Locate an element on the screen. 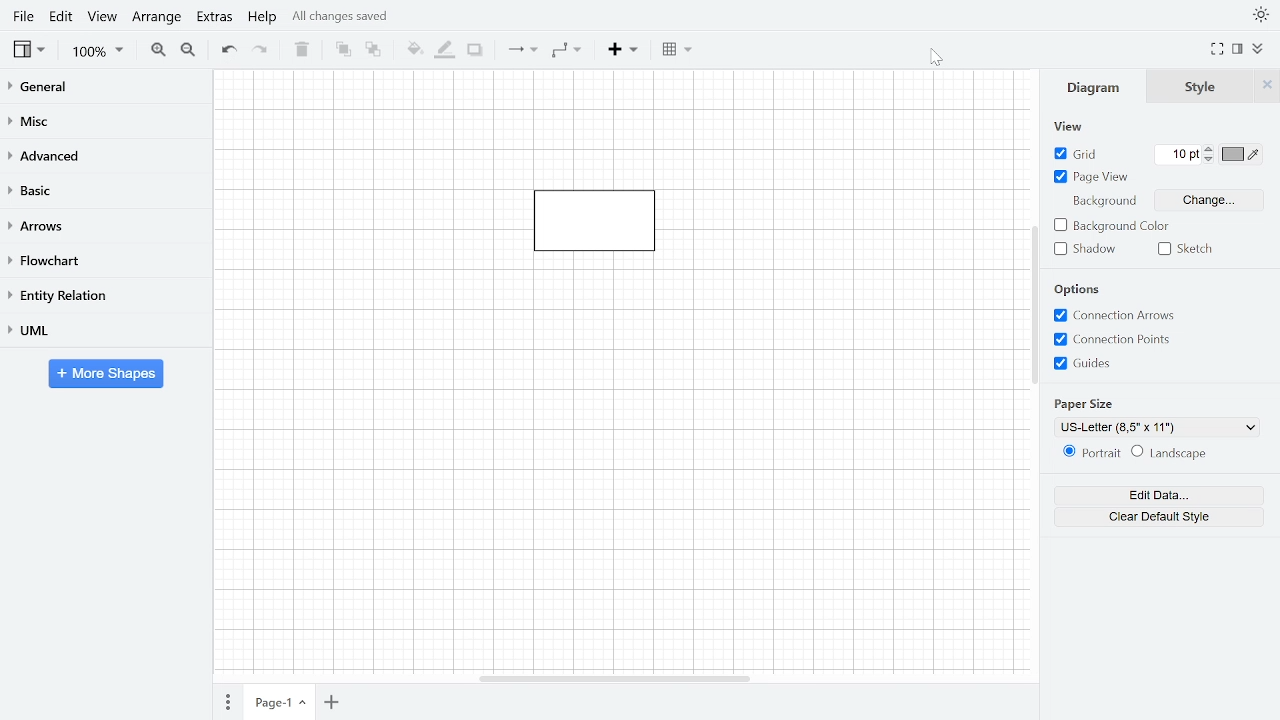 This screenshot has width=1280, height=720. View is located at coordinates (103, 18).